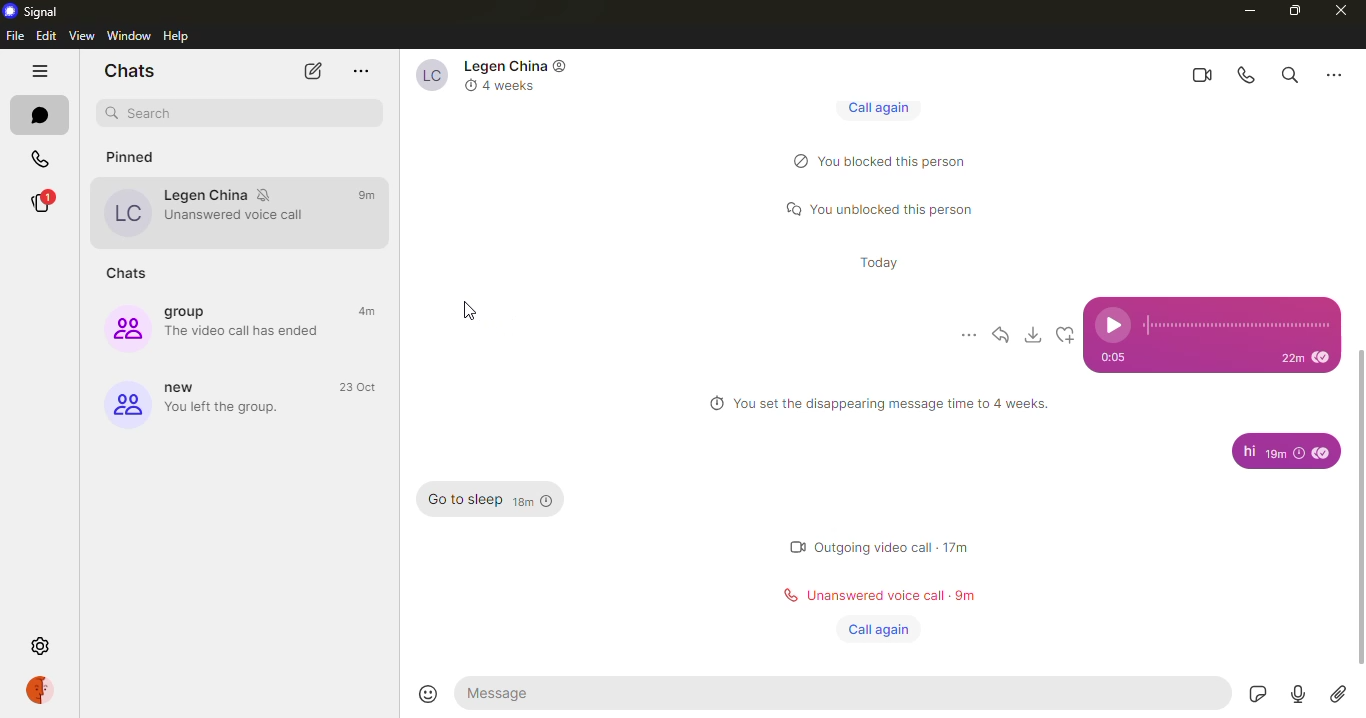 The height and width of the screenshot is (718, 1366). I want to click on time, so click(960, 547).